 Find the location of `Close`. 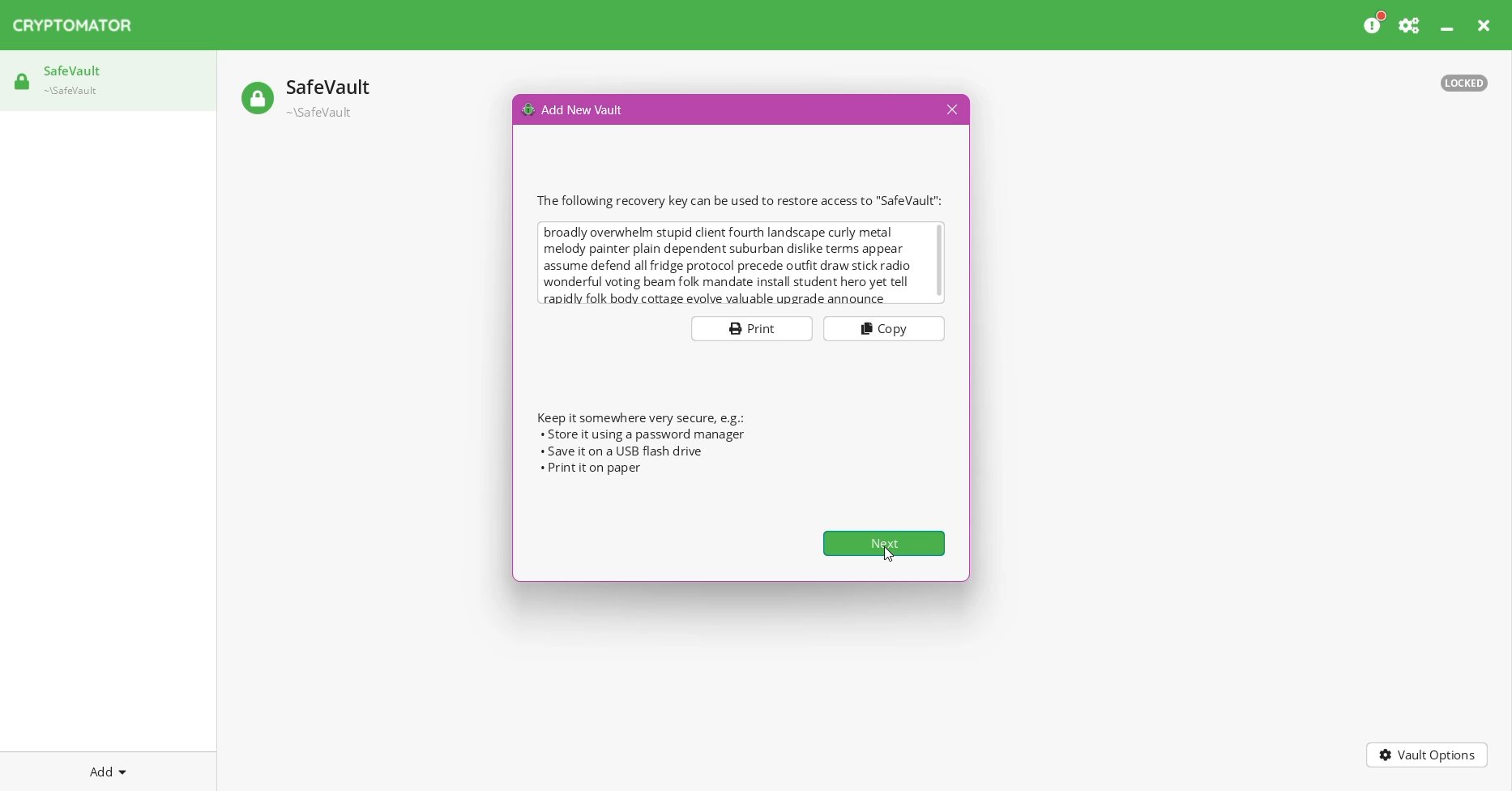

Close is located at coordinates (1486, 25).